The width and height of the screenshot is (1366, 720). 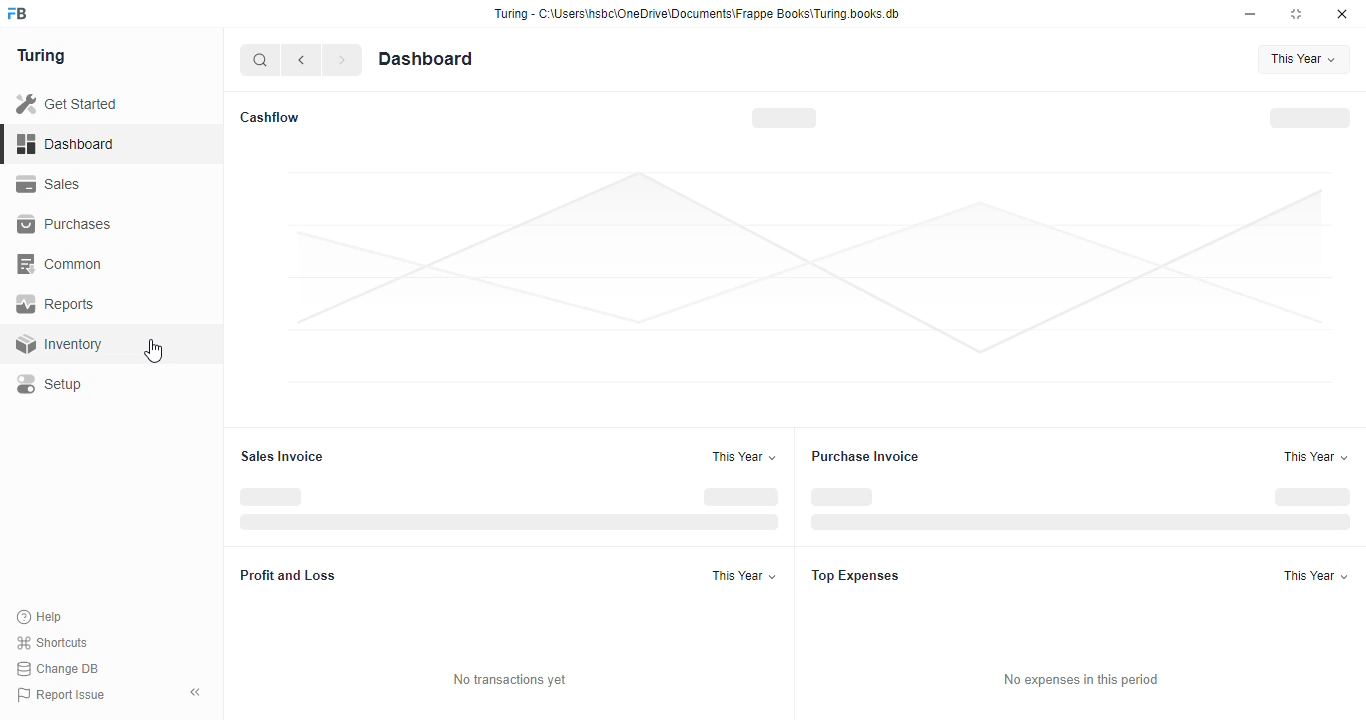 What do you see at coordinates (59, 344) in the screenshot?
I see `inventory` at bounding box center [59, 344].